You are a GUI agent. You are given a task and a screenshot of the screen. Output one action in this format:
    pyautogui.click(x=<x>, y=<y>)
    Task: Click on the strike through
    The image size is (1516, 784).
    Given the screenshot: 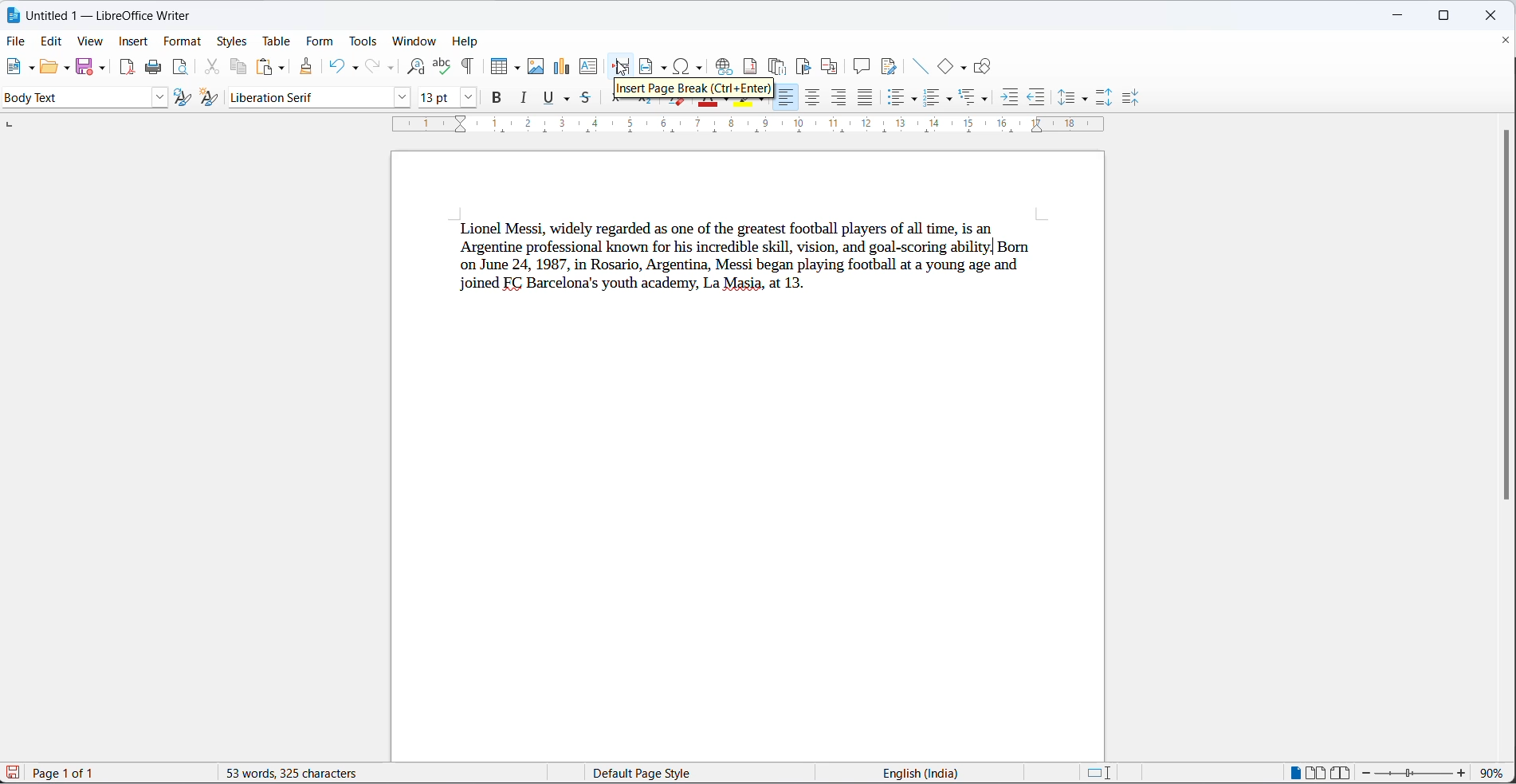 What is the action you would take?
    pyautogui.click(x=586, y=97)
    